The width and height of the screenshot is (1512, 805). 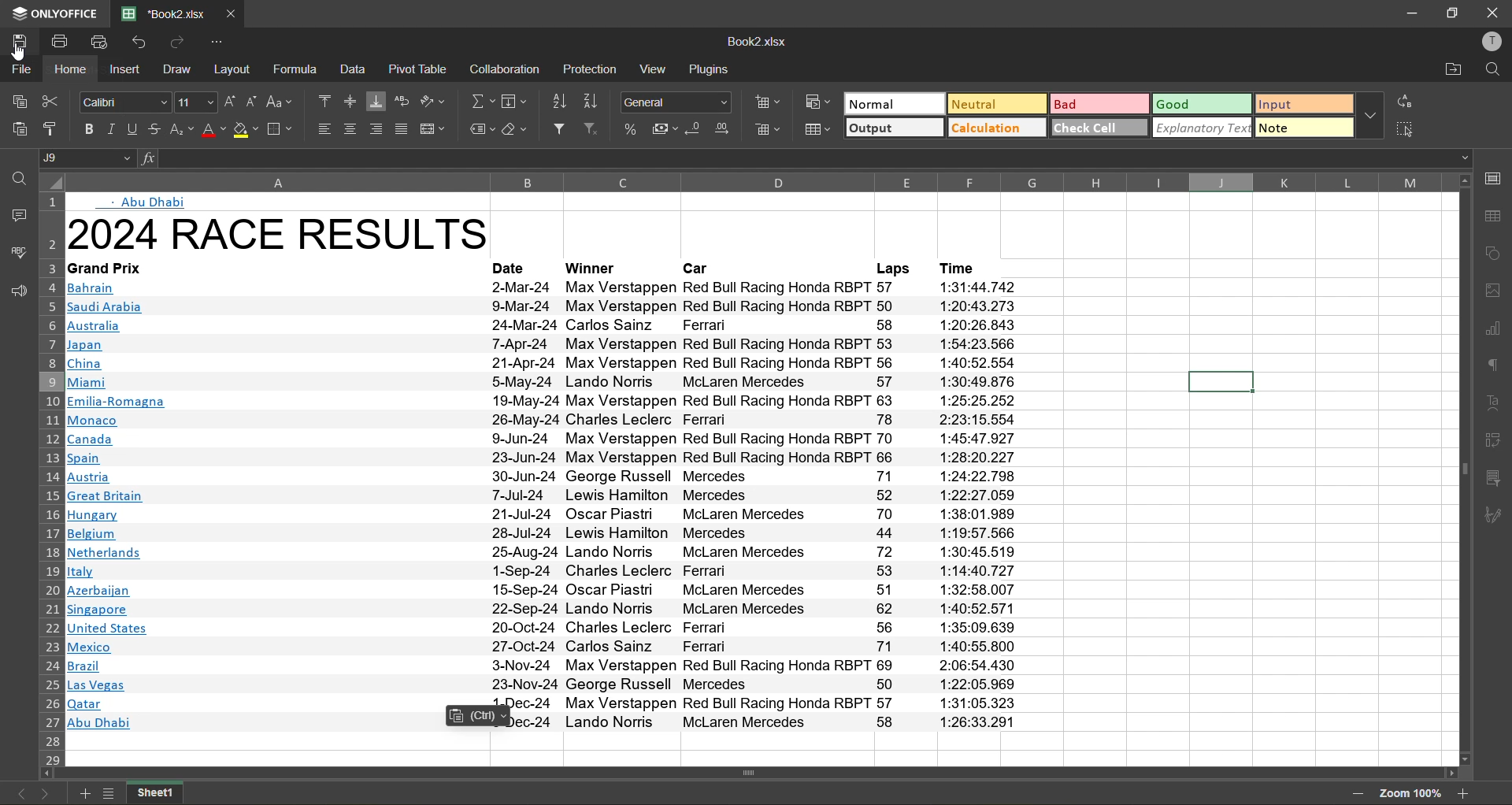 I want to click on insert cells, so click(x=769, y=102).